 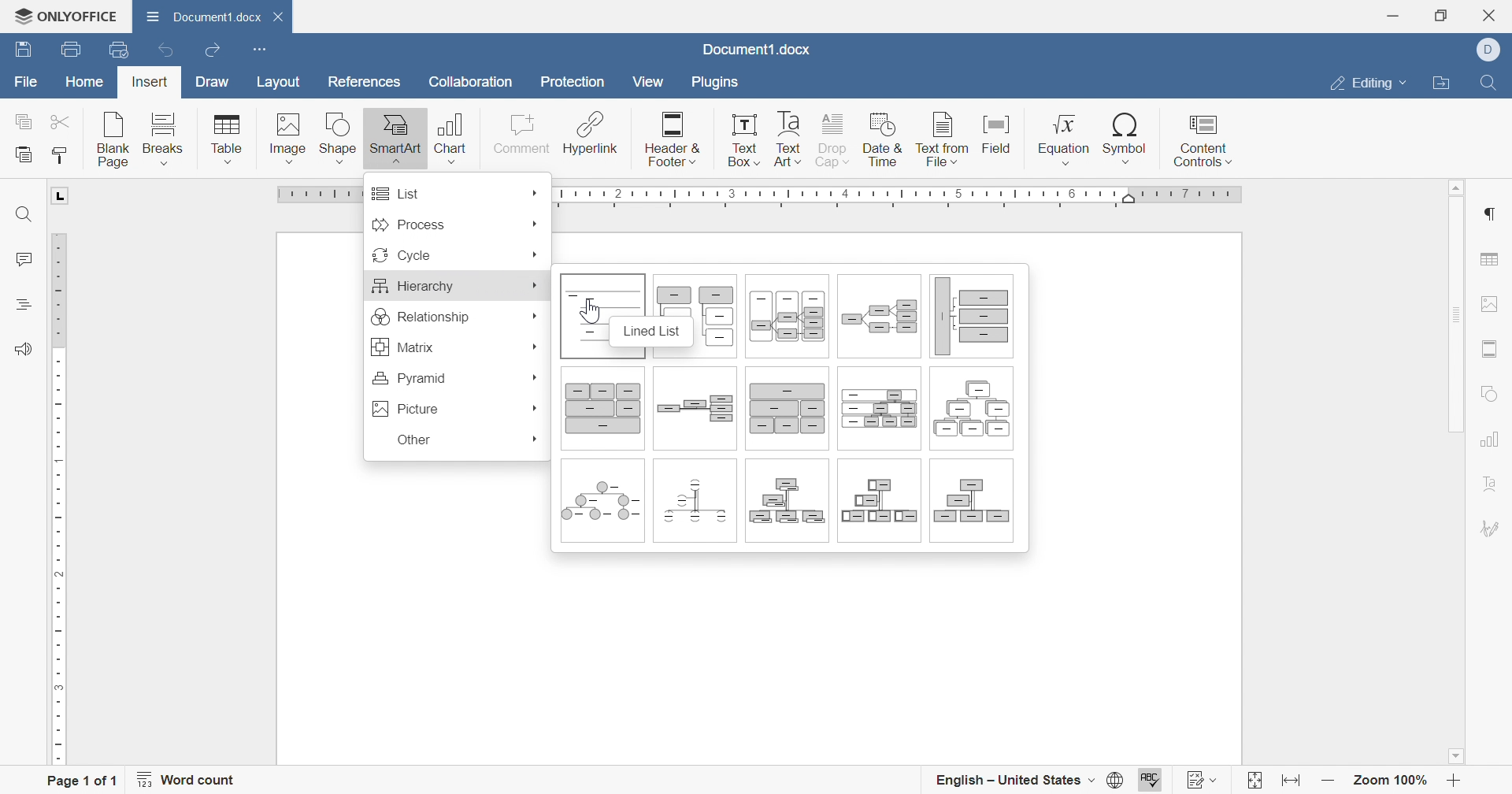 I want to click on Redo, so click(x=213, y=50).